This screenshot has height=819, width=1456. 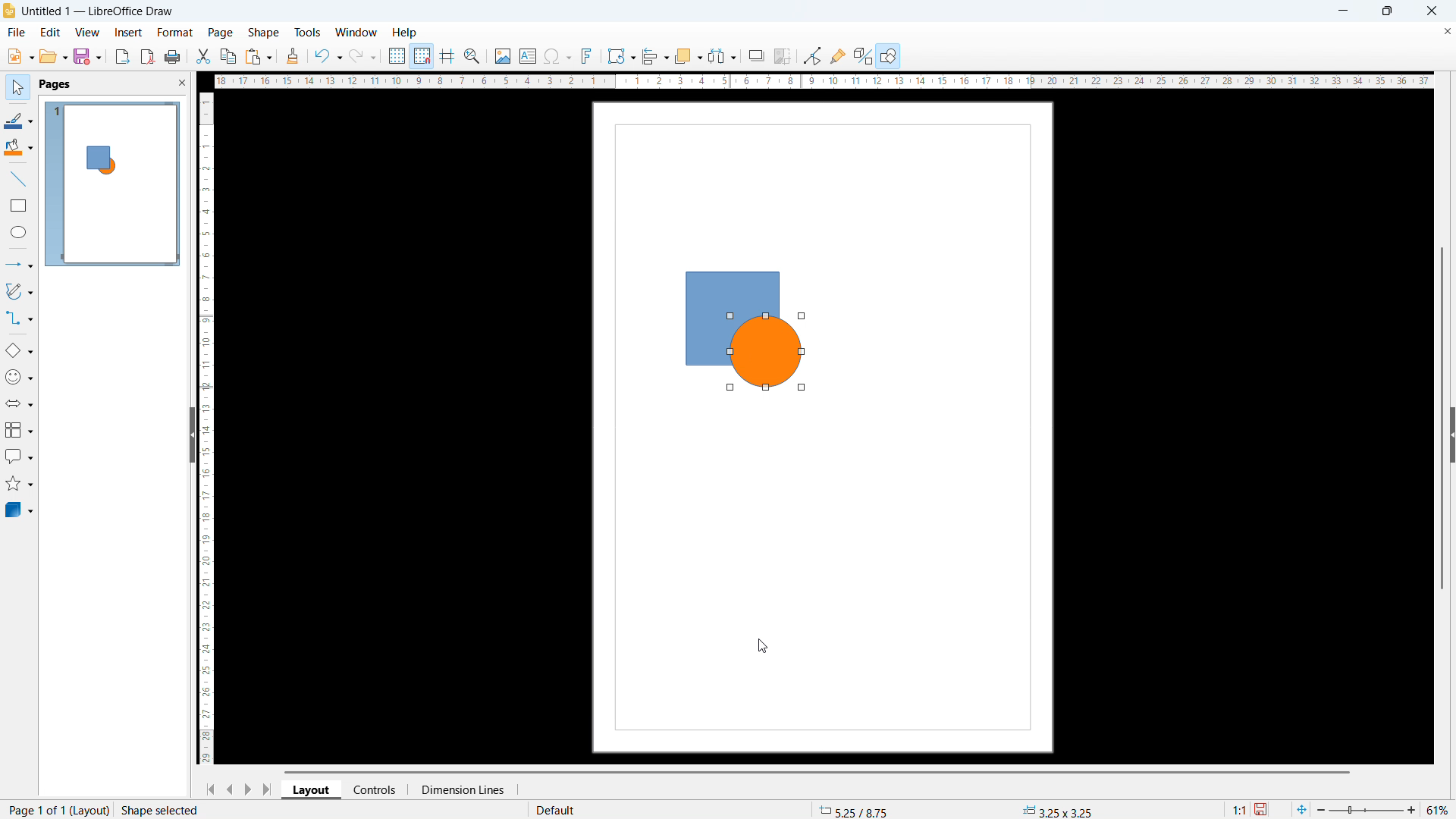 What do you see at coordinates (397, 55) in the screenshot?
I see `display grid` at bounding box center [397, 55].